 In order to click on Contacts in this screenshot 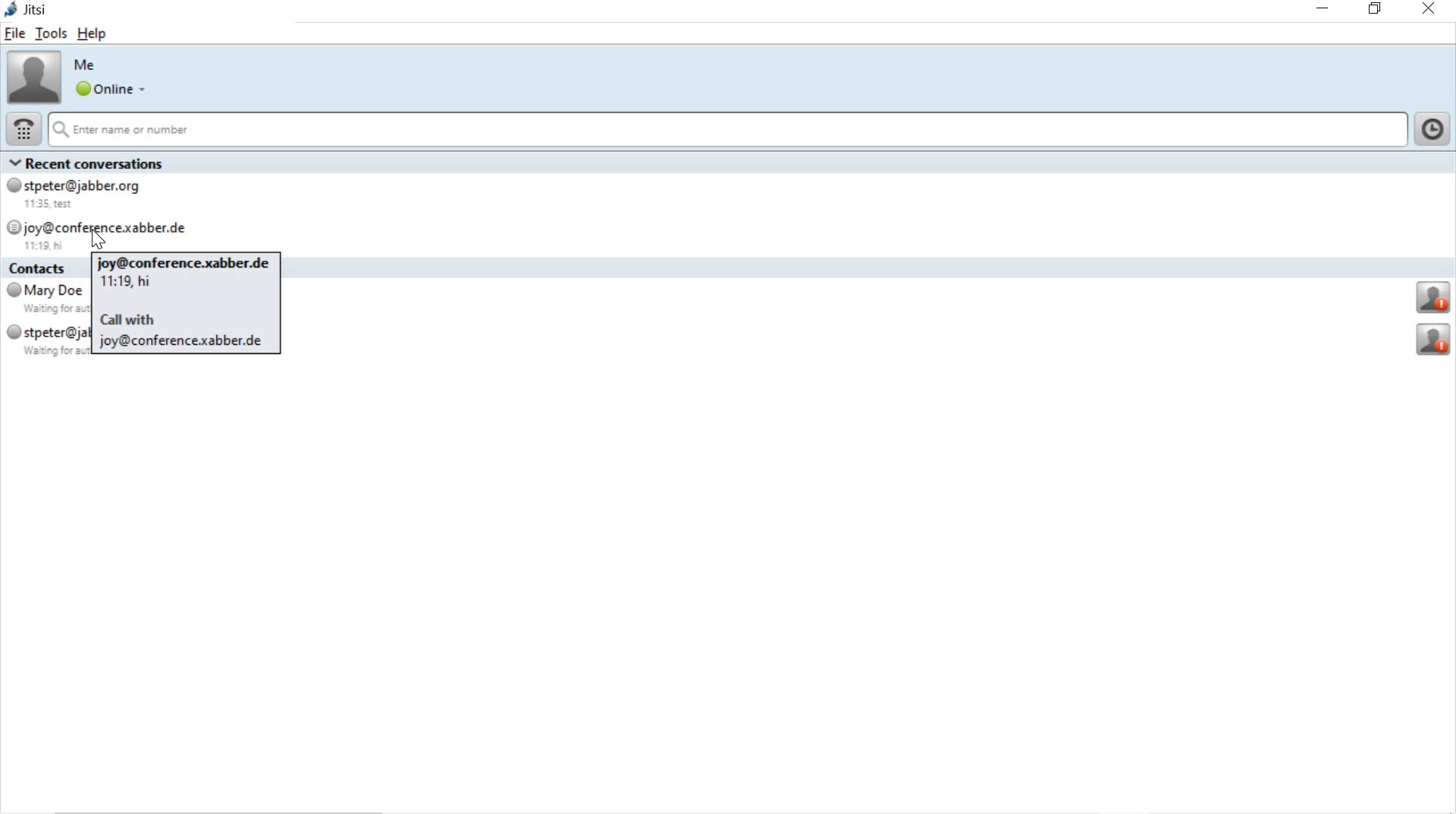, I will do `click(42, 271)`.